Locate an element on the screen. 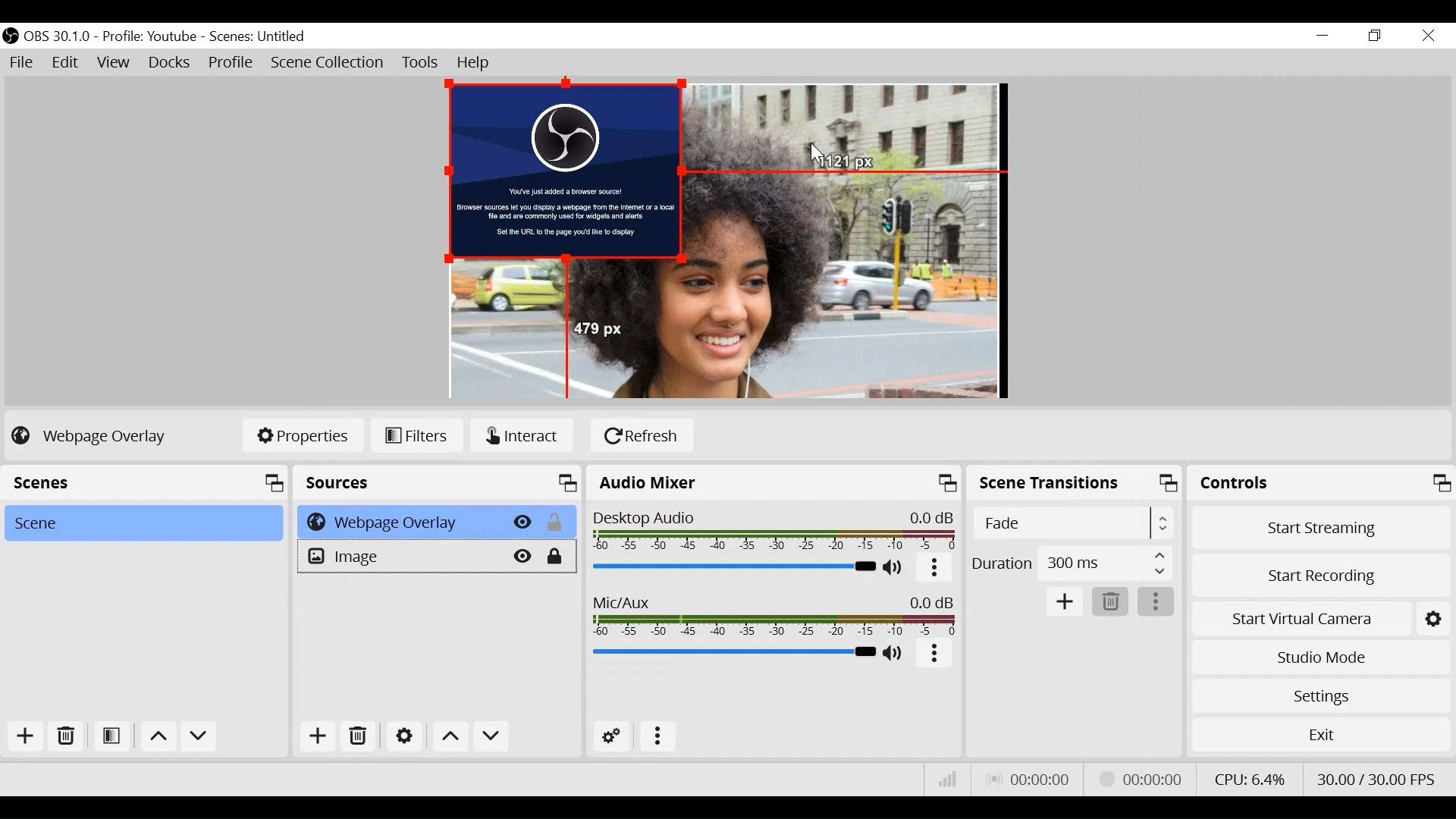 Image resolution: width=1456 pixels, height=819 pixels. Cursor is located at coordinates (817, 156).